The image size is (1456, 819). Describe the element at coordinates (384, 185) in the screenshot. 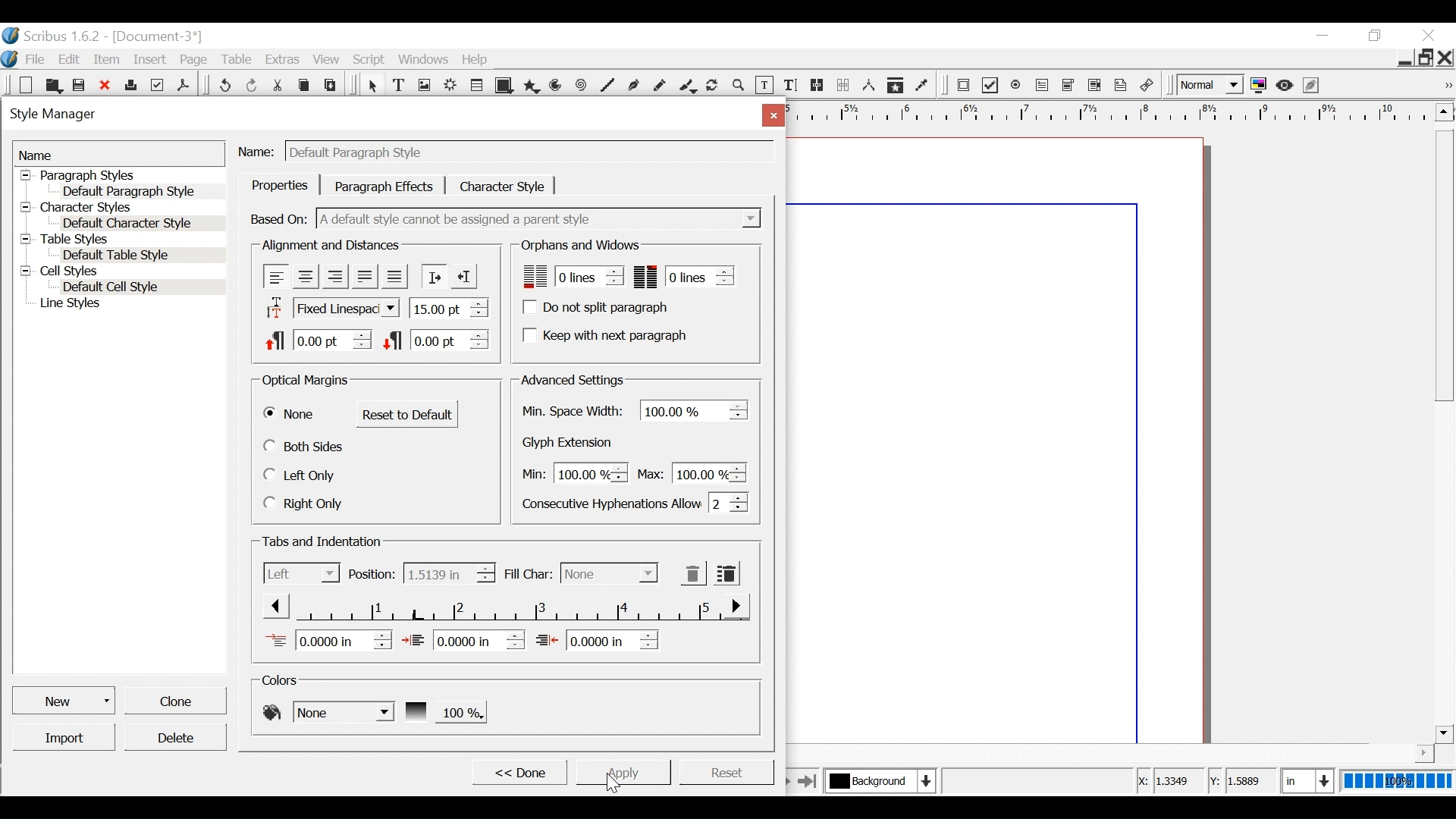

I see `Paragraph effects` at that location.